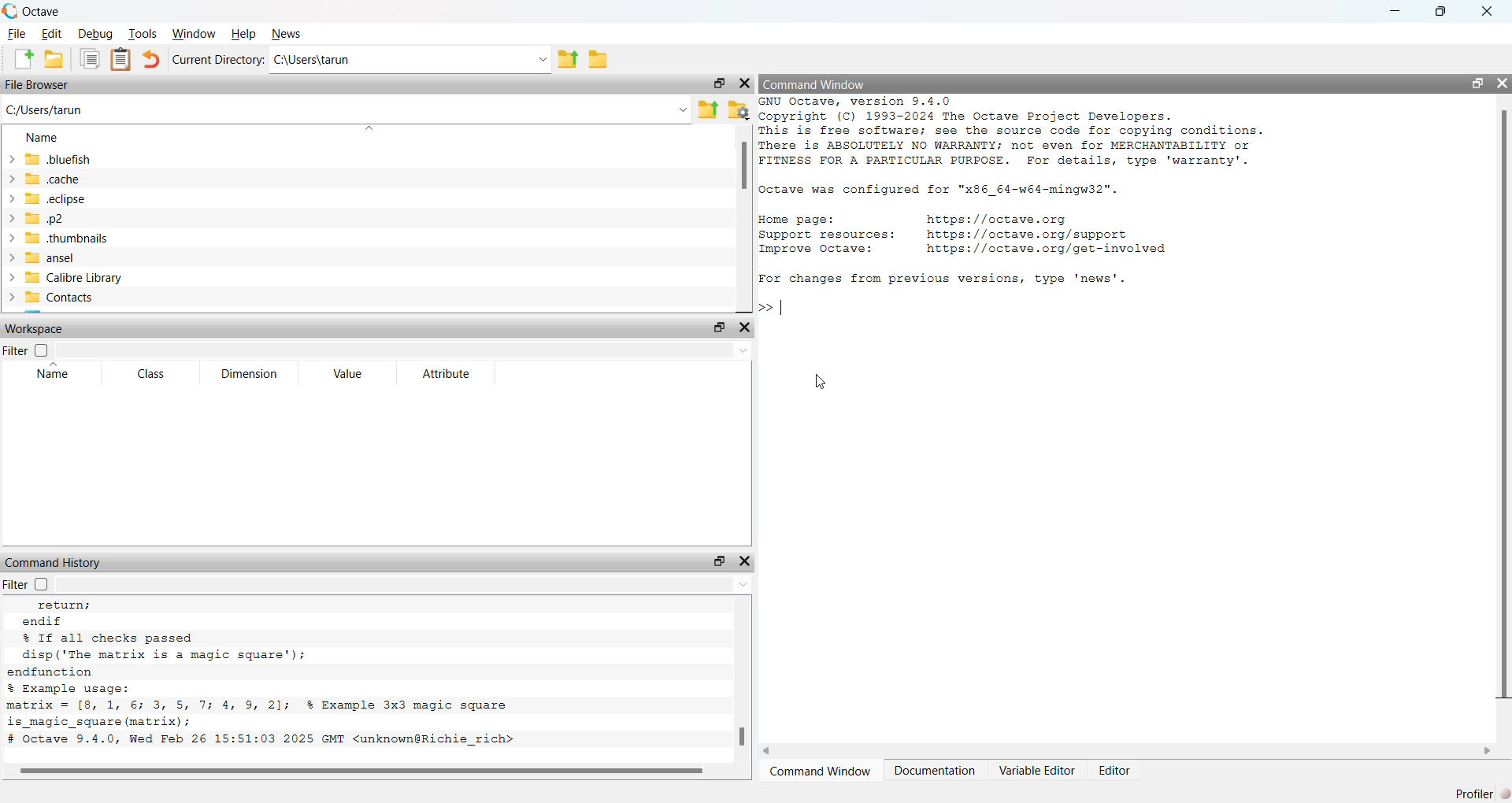 The height and width of the screenshot is (803, 1512). I want to click on Name, so click(43, 137).